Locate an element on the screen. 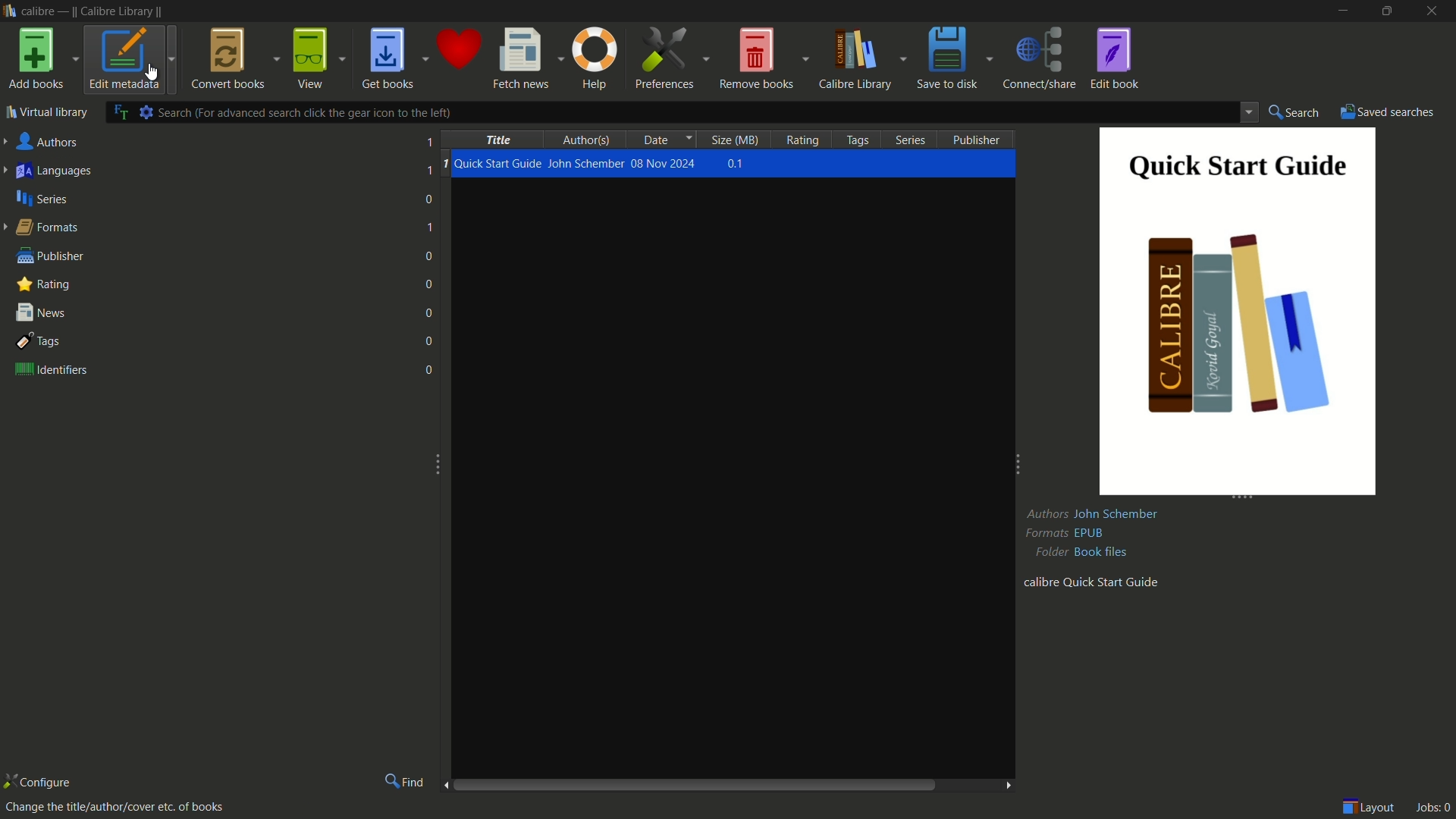 The image size is (1456, 819). calibre quick start guide is located at coordinates (1091, 580).